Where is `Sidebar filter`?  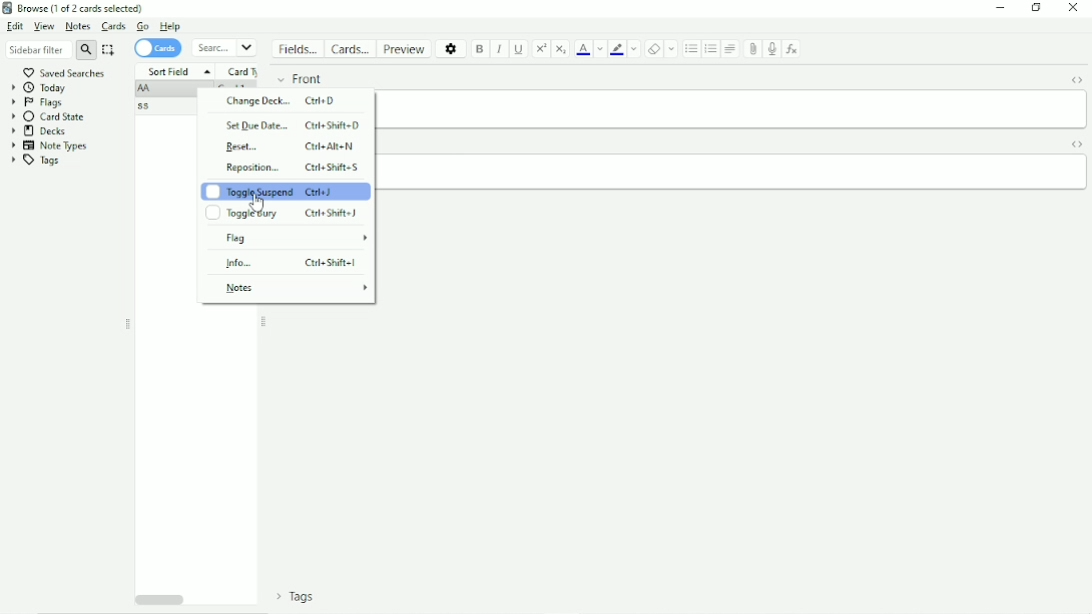 Sidebar filter is located at coordinates (49, 51).